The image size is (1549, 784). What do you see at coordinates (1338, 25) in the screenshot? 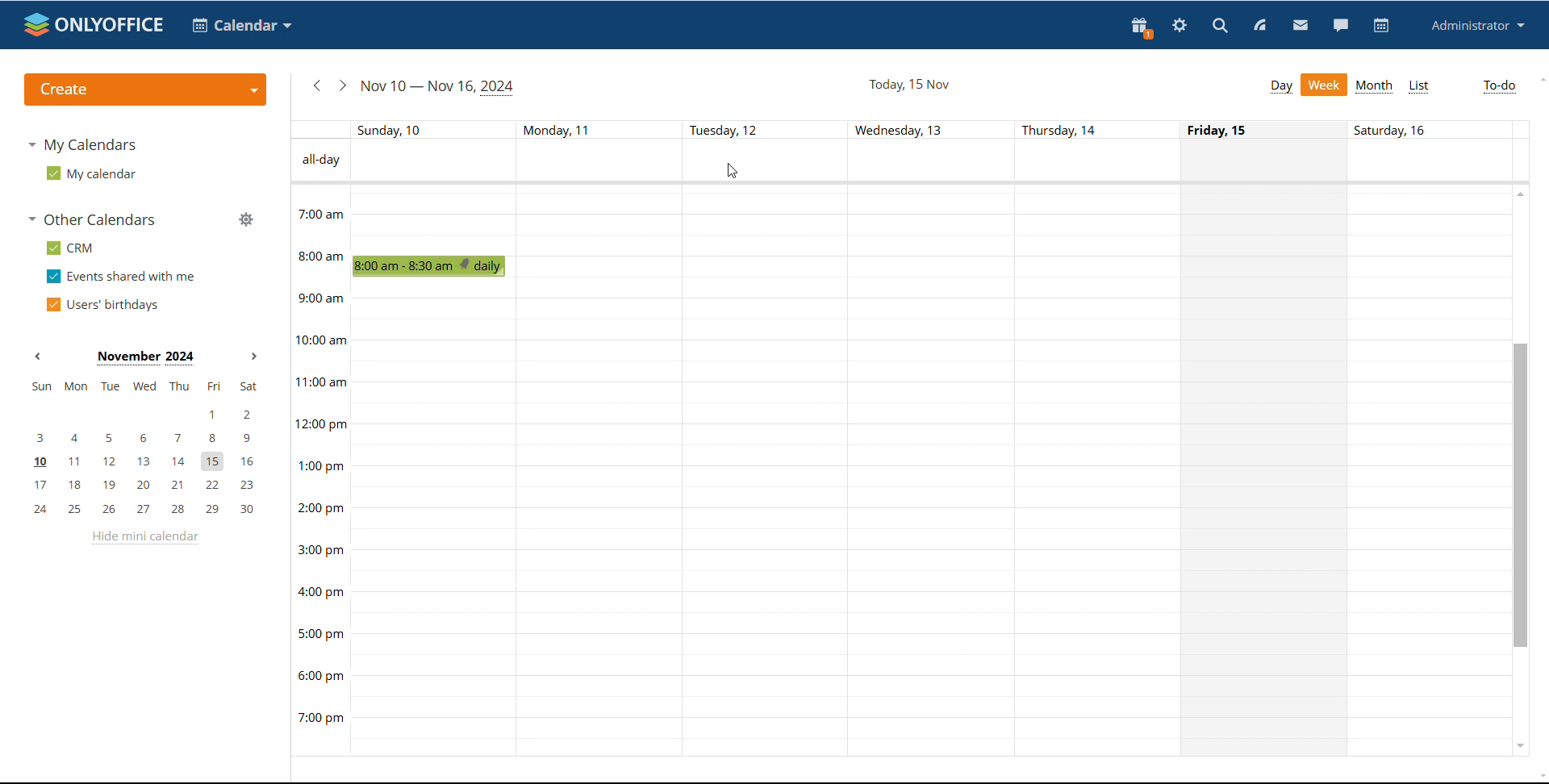
I see `chat` at bounding box center [1338, 25].